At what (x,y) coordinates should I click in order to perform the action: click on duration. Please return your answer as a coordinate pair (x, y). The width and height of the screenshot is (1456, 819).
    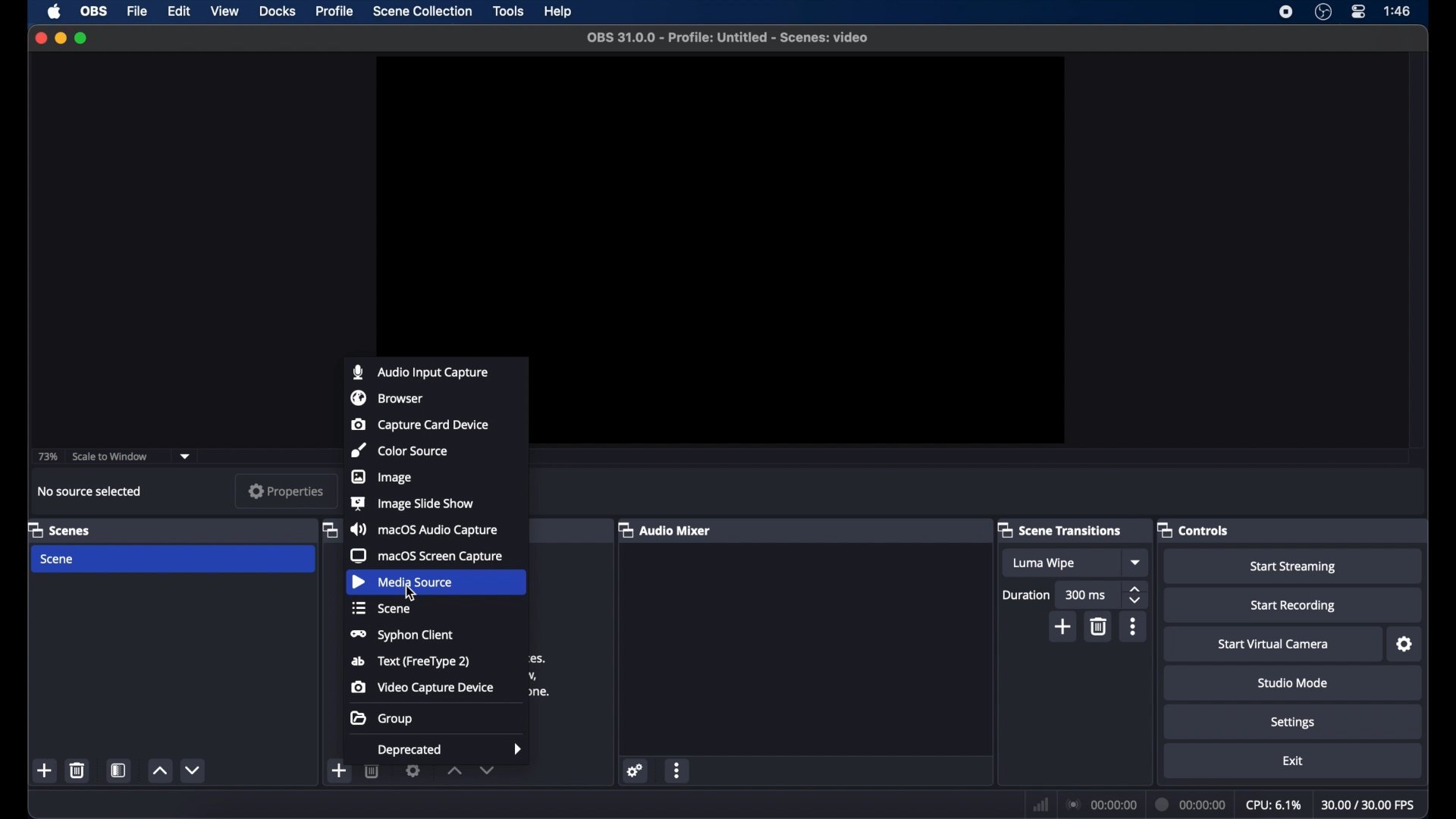
    Looking at the image, I should click on (1025, 595).